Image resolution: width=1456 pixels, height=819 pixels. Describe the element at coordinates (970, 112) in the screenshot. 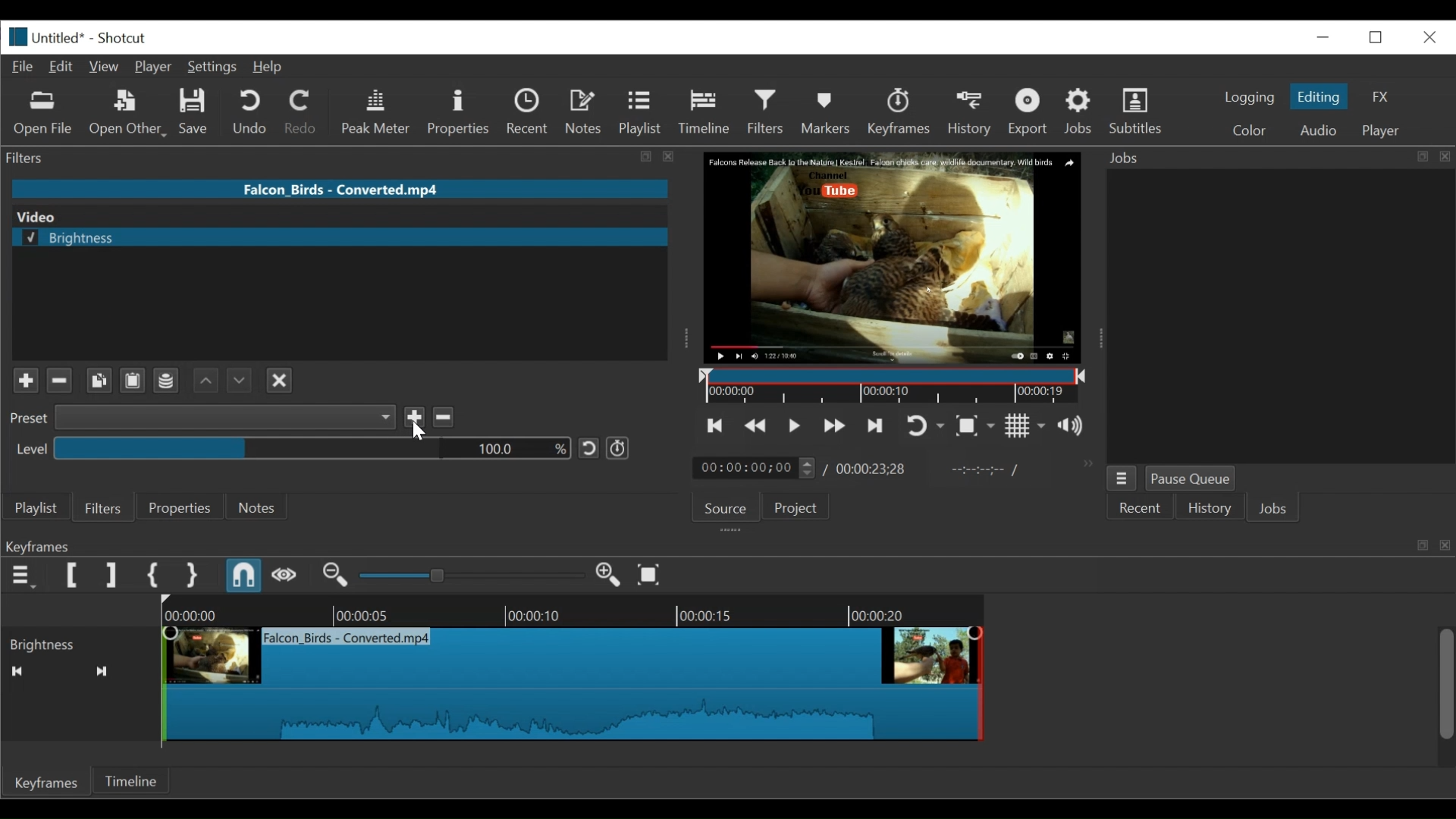

I see `History` at that location.